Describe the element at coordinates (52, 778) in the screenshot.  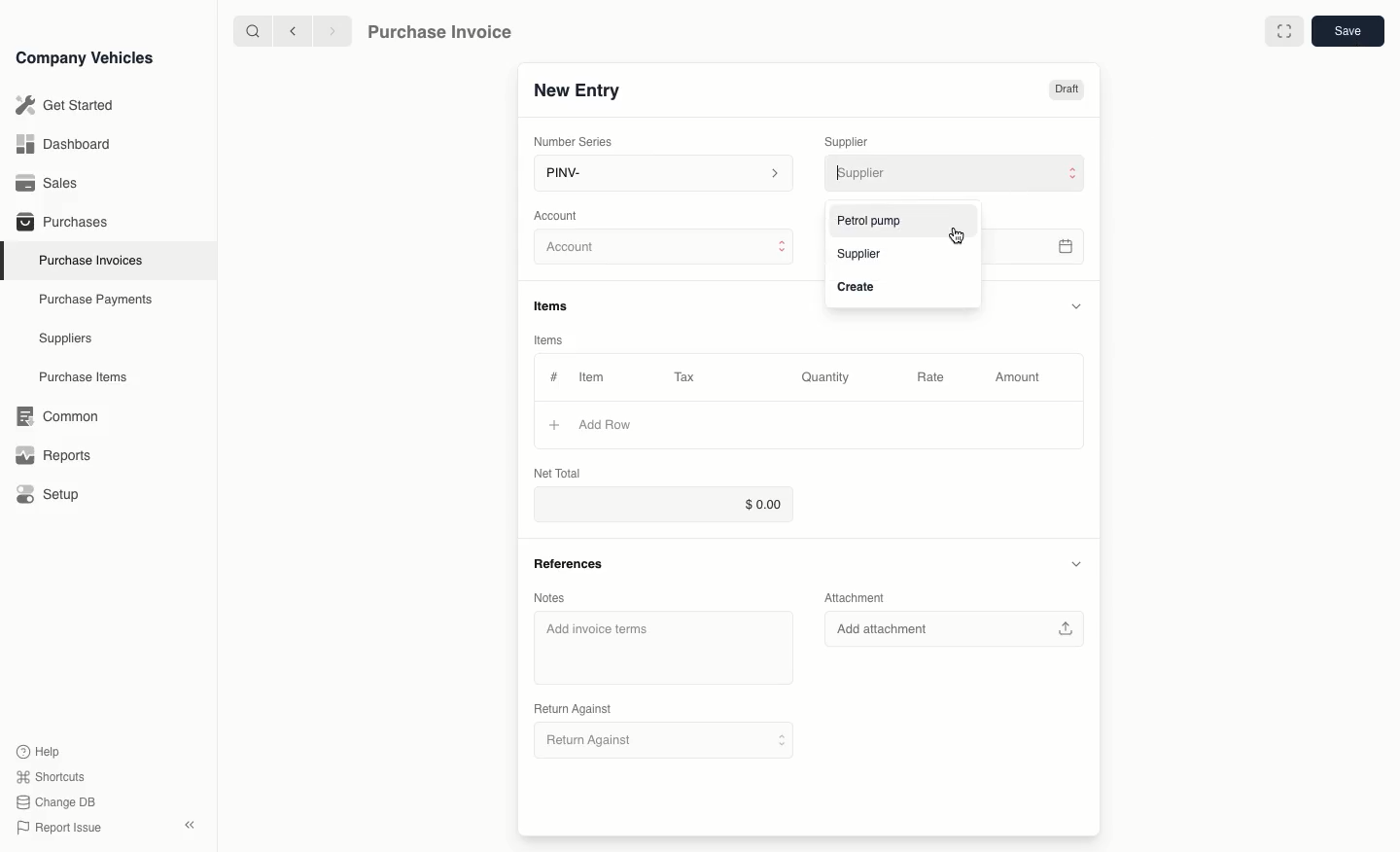
I see `Shortcuts` at that location.